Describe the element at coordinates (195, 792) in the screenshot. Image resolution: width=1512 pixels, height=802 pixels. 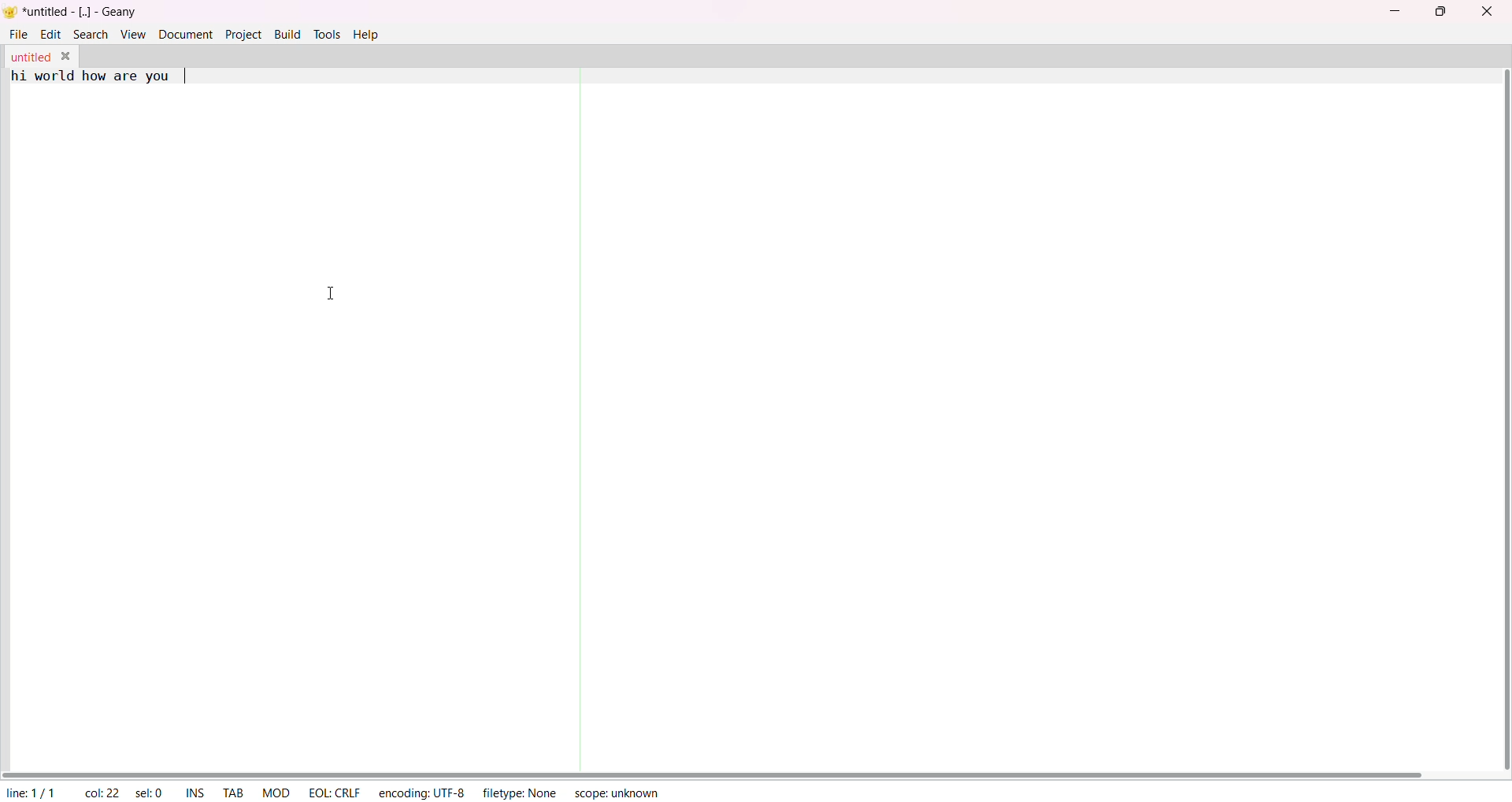
I see `ins` at that location.